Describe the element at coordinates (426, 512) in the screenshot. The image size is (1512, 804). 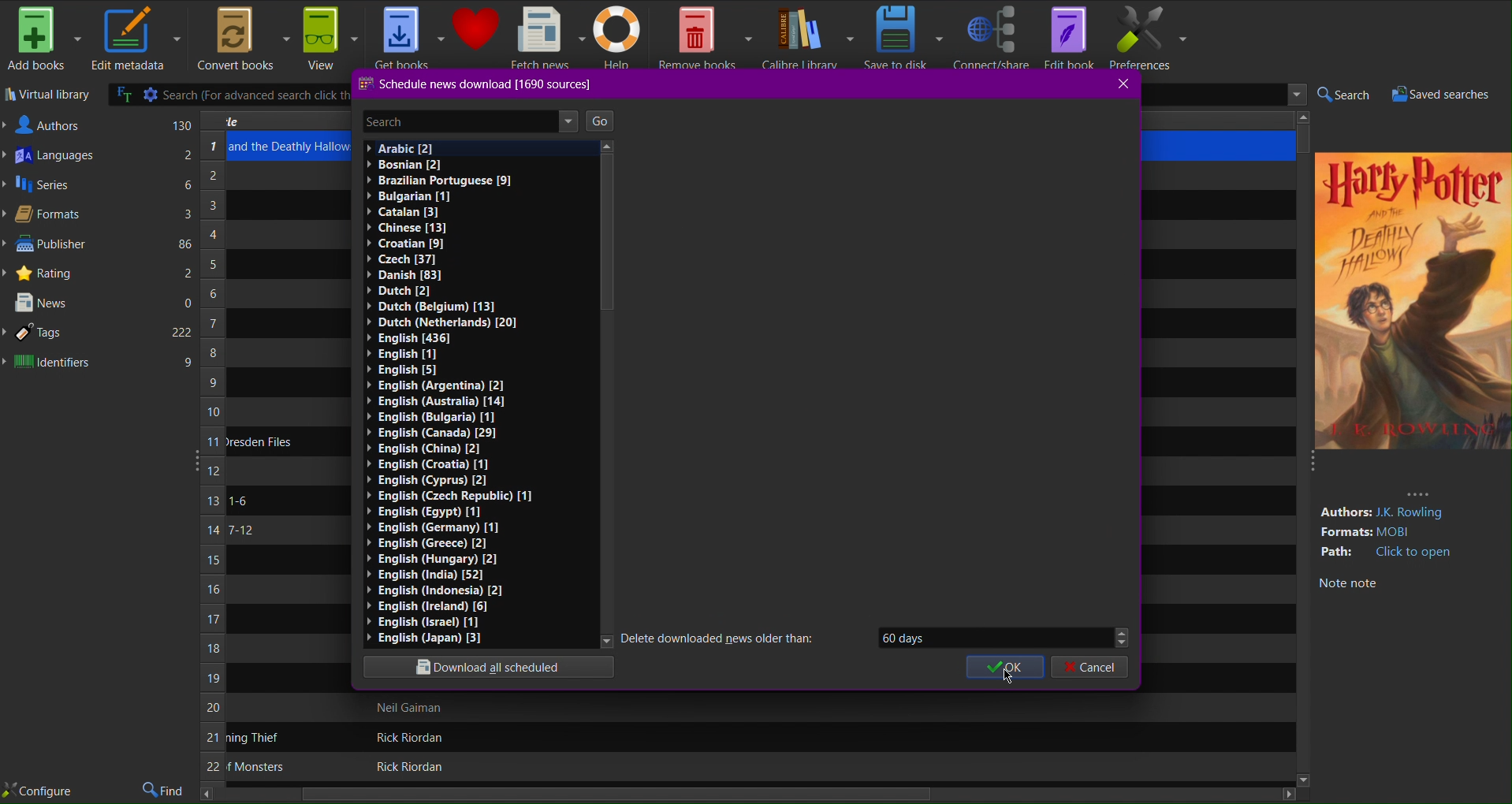
I see `English (Egypt) [1]` at that location.